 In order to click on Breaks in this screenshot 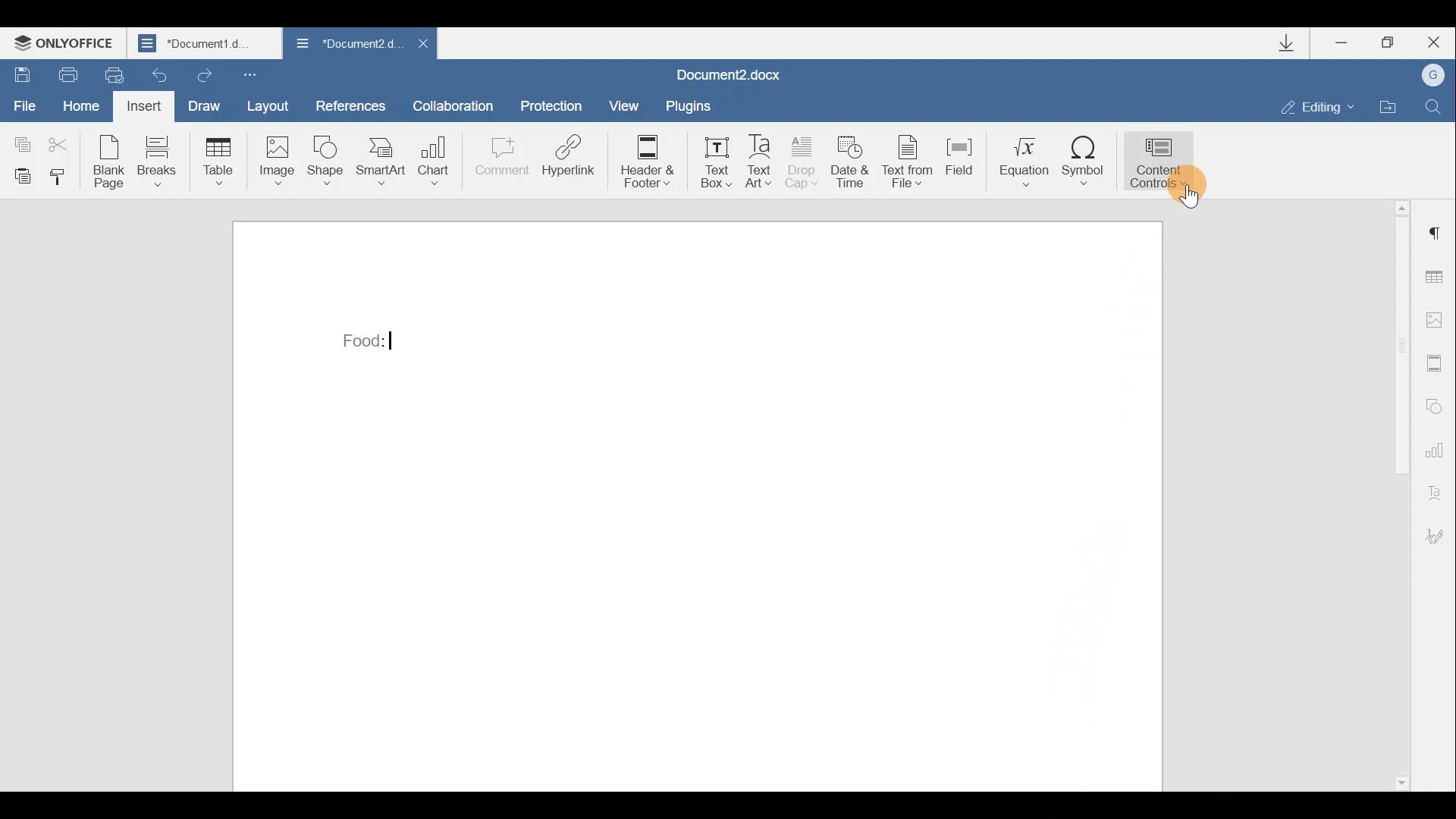, I will do `click(155, 165)`.